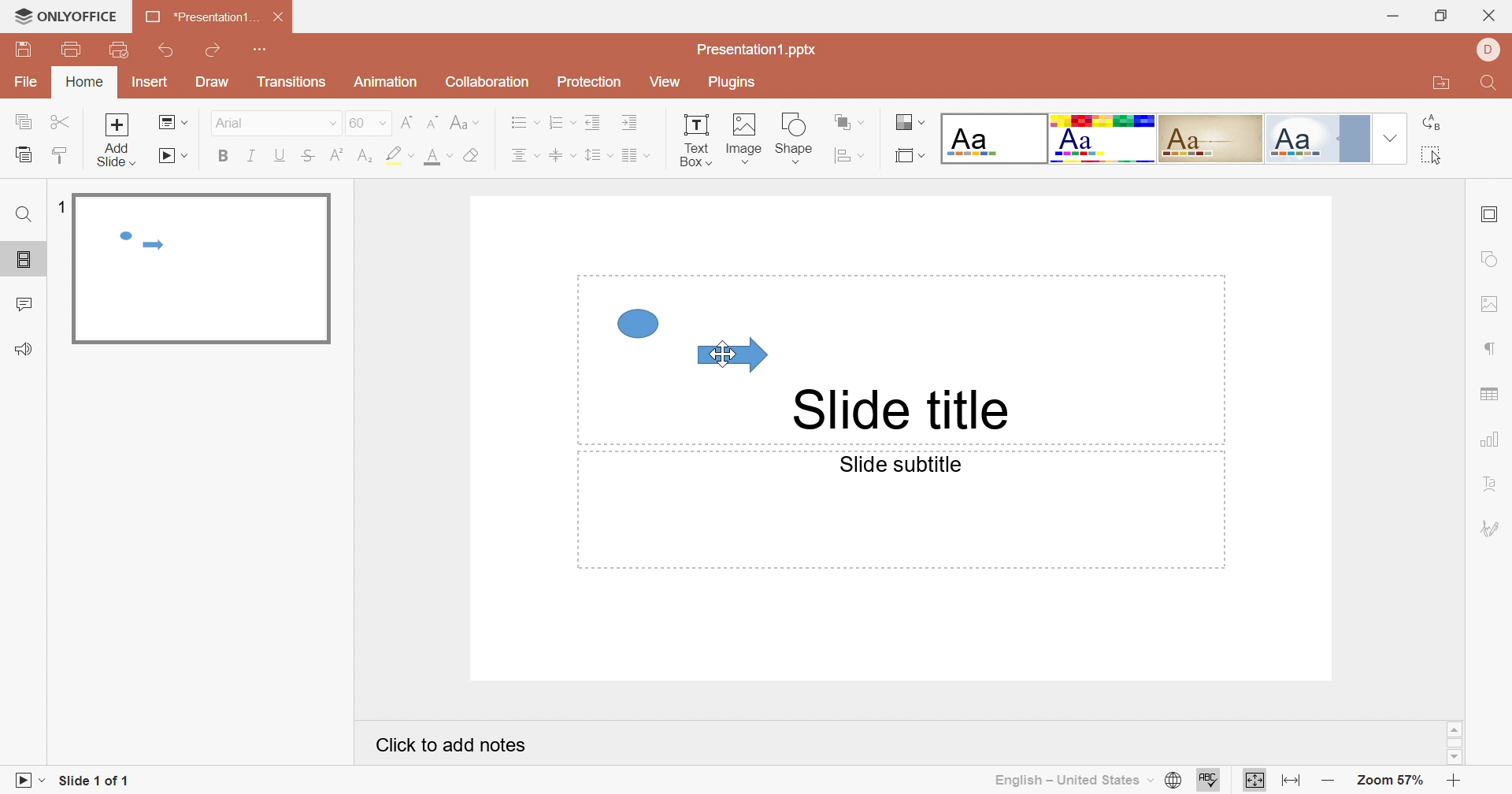 Image resolution: width=1512 pixels, height=794 pixels. Describe the element at coordinates (1211, 782) in the screenshot. I see `Spell Checking` at that location.